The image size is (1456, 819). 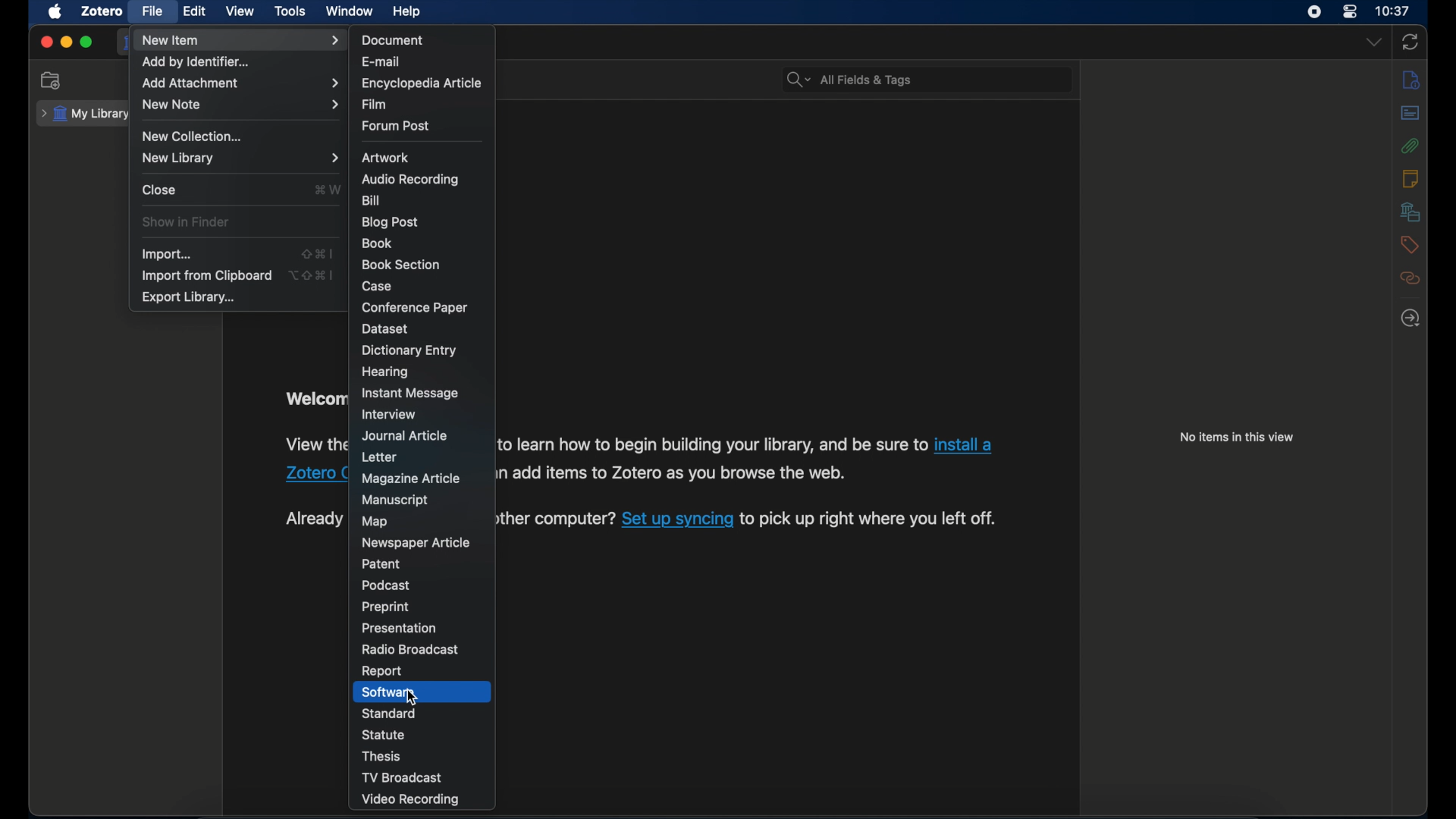 What do you see at coordinates (378, 286) in the screenshot?
I see `case` at bounding box center [378, 286].